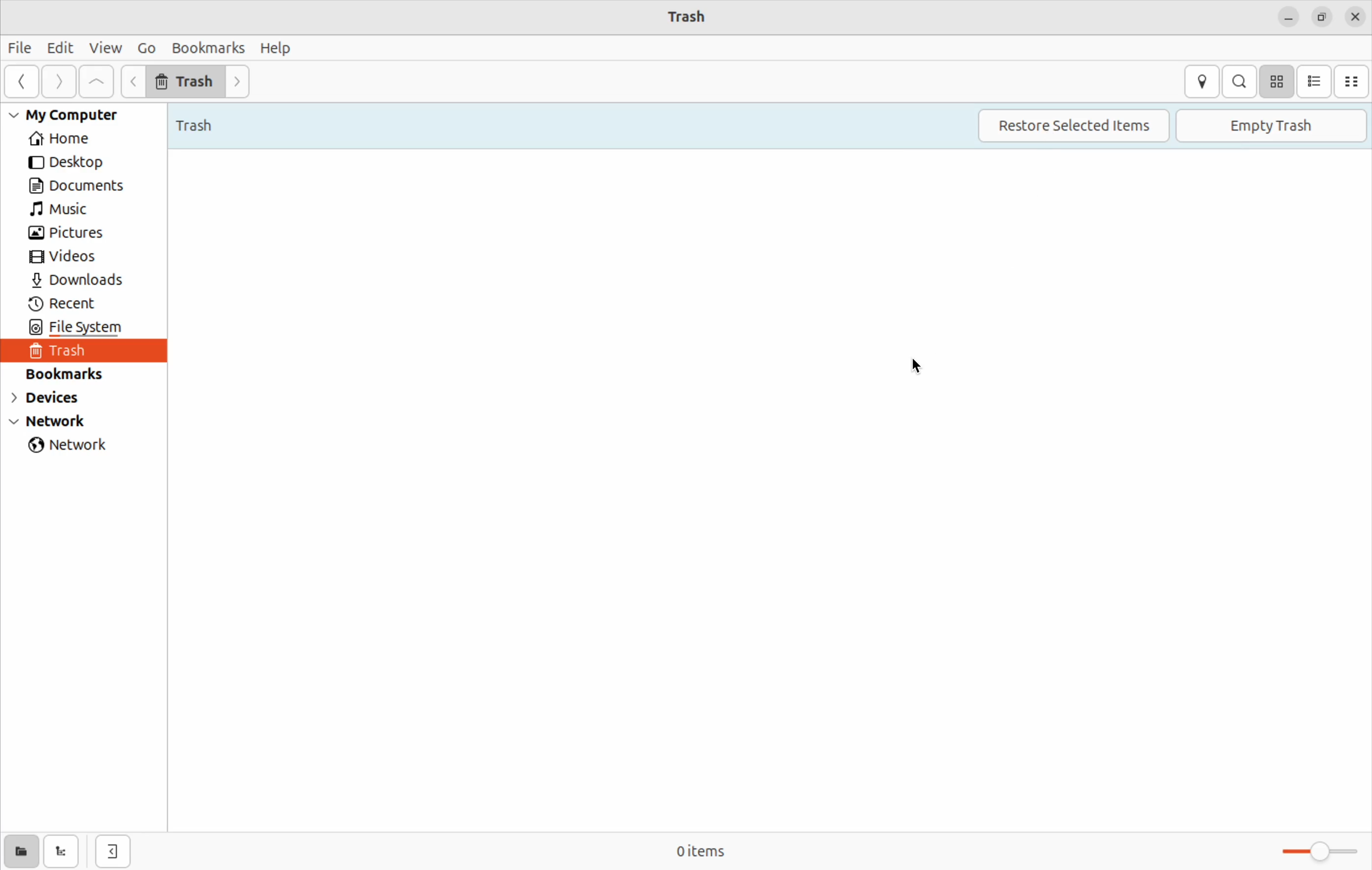 The image size is (1372, 870). What do you see at coordinates (1272, 126) in the screenshot?
I see `empty trash` at bounding box center [1272, 126].